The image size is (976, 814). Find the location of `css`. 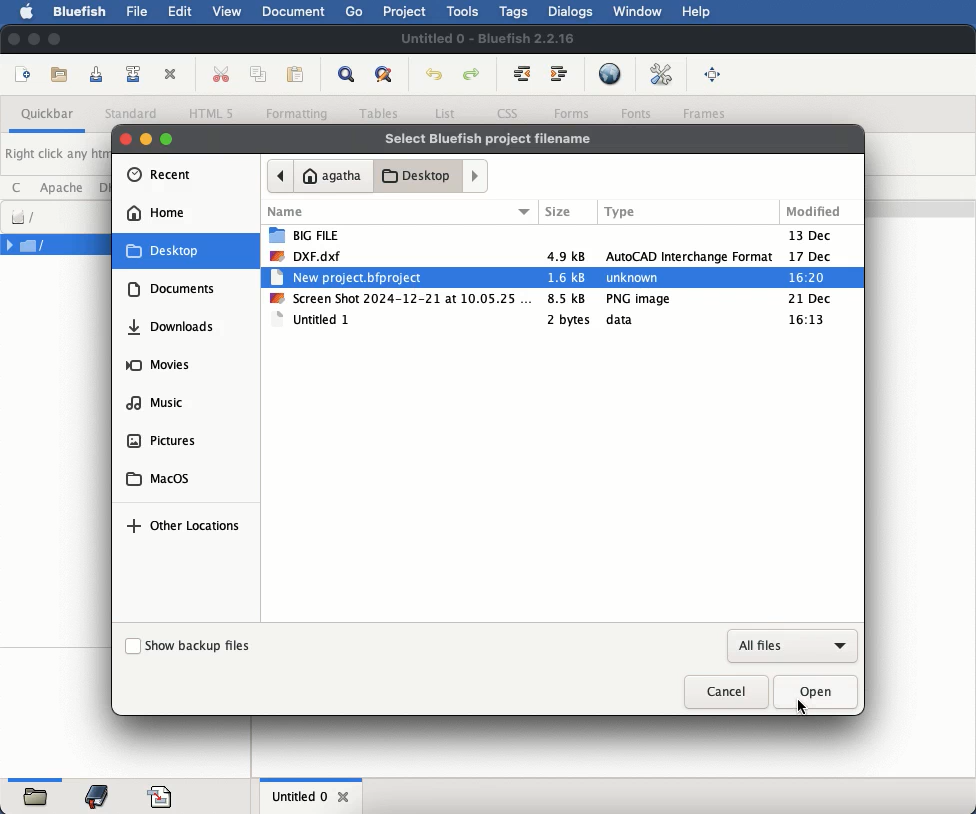

css is located at coordinates (507, 114).